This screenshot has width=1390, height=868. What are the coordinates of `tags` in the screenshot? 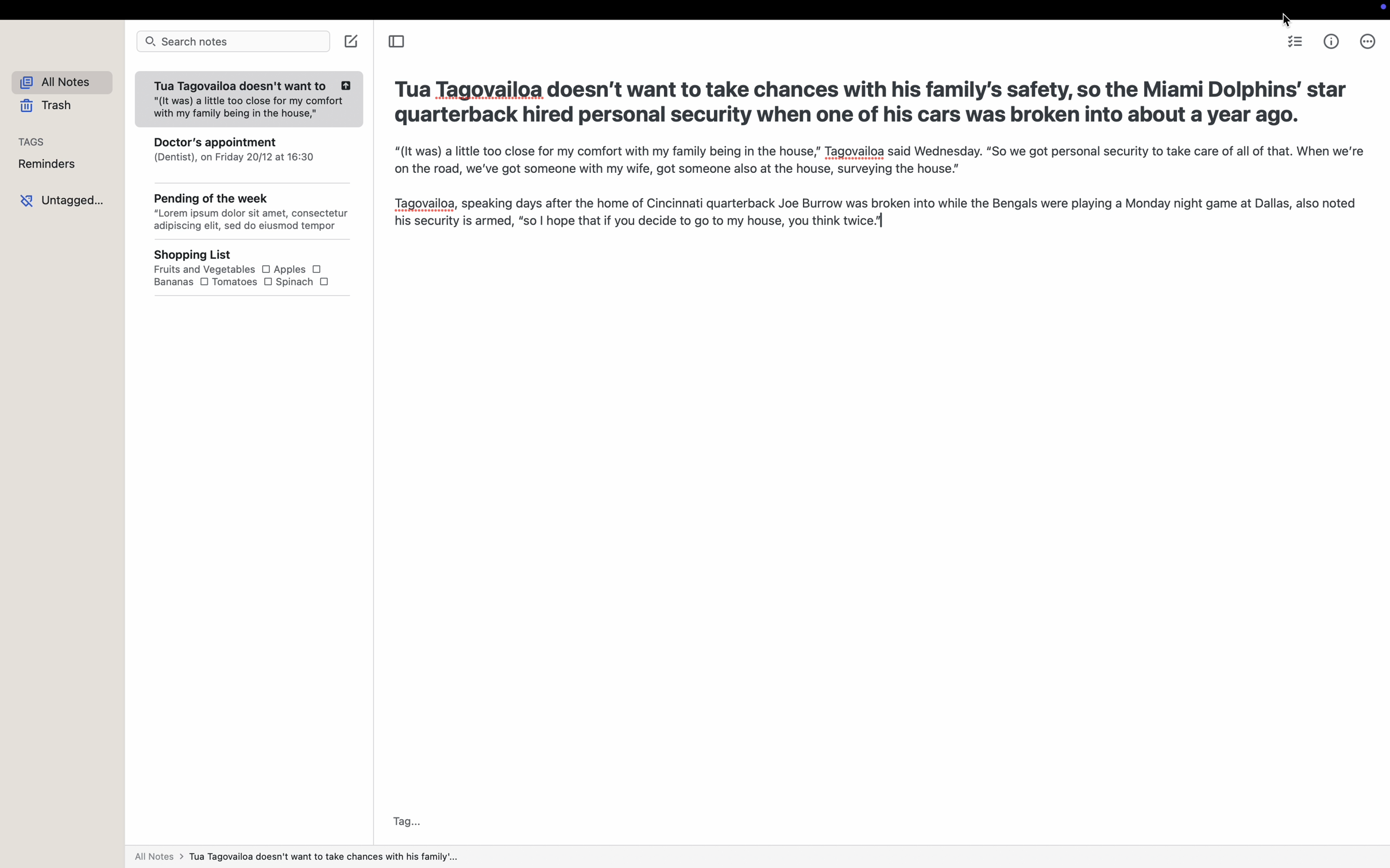 It's located at (33, 141).